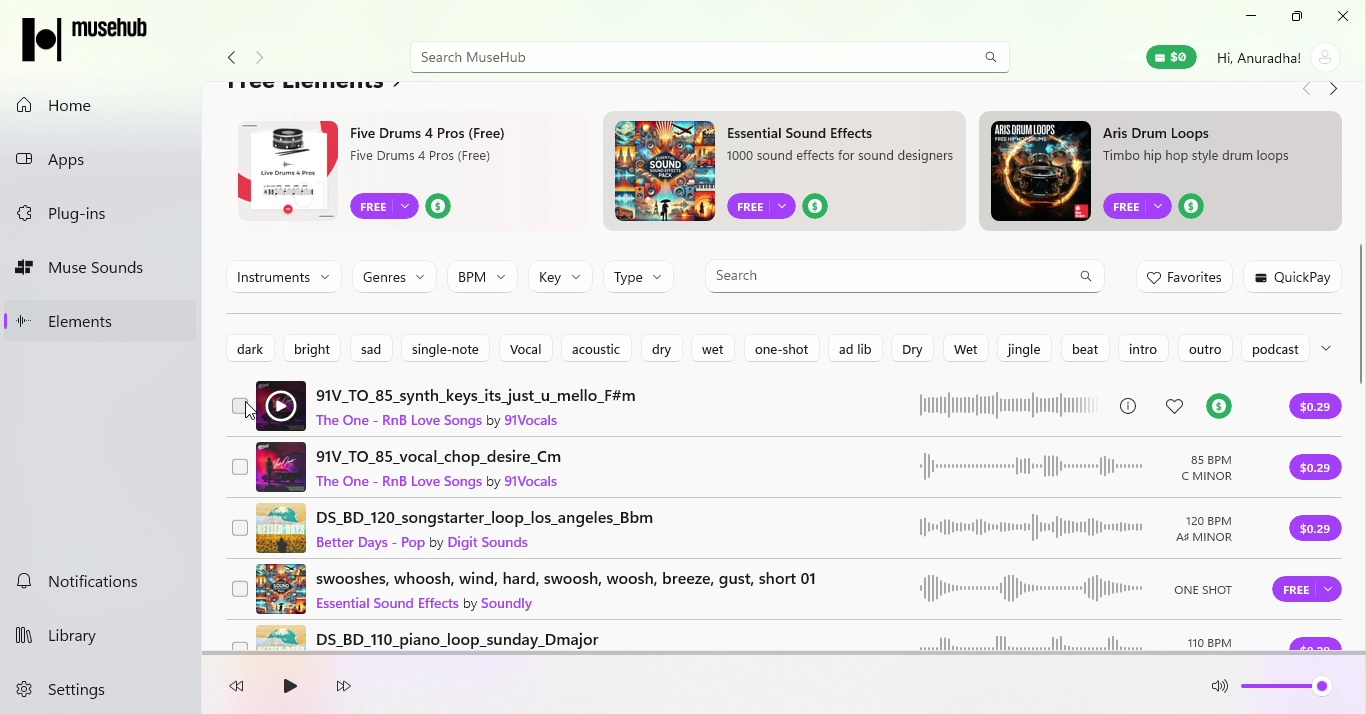 The image size is (1366, 714). What do you see at coordinates (525, 348) in the screenshot?
I see `Vocal` at bounding box center [525, 348].